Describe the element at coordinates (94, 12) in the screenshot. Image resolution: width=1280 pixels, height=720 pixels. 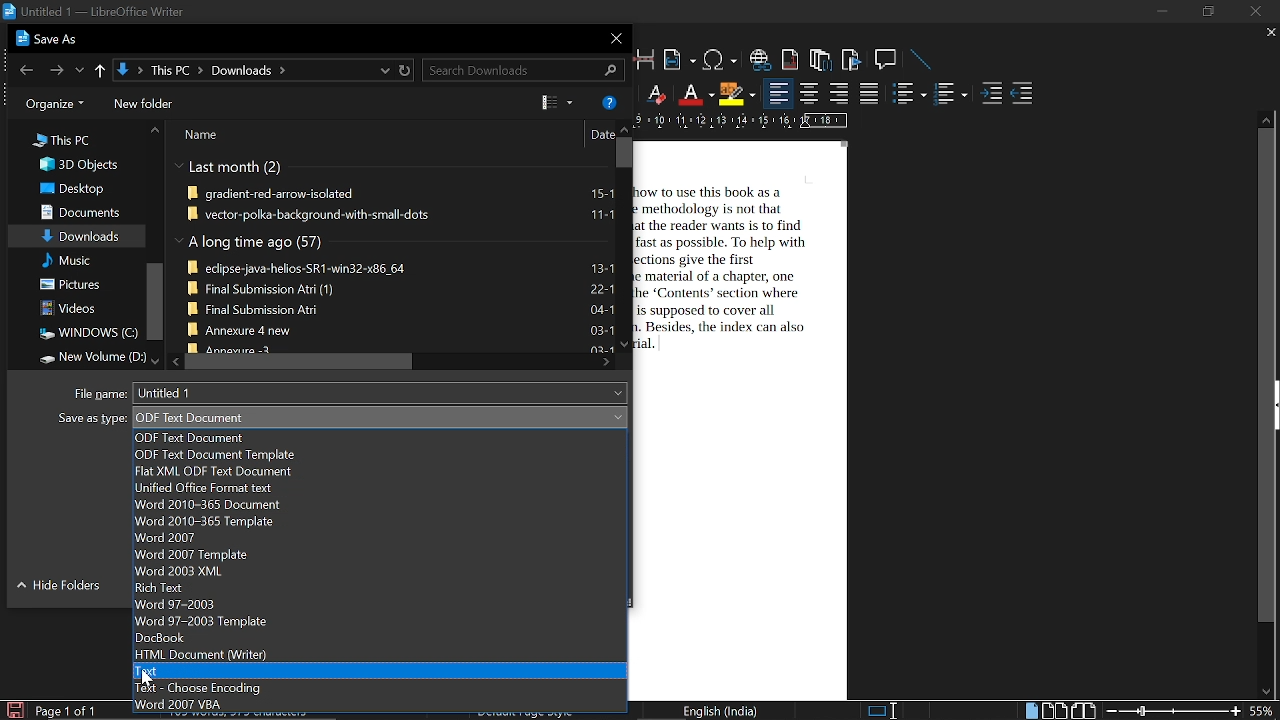
I see `current window` at that location.